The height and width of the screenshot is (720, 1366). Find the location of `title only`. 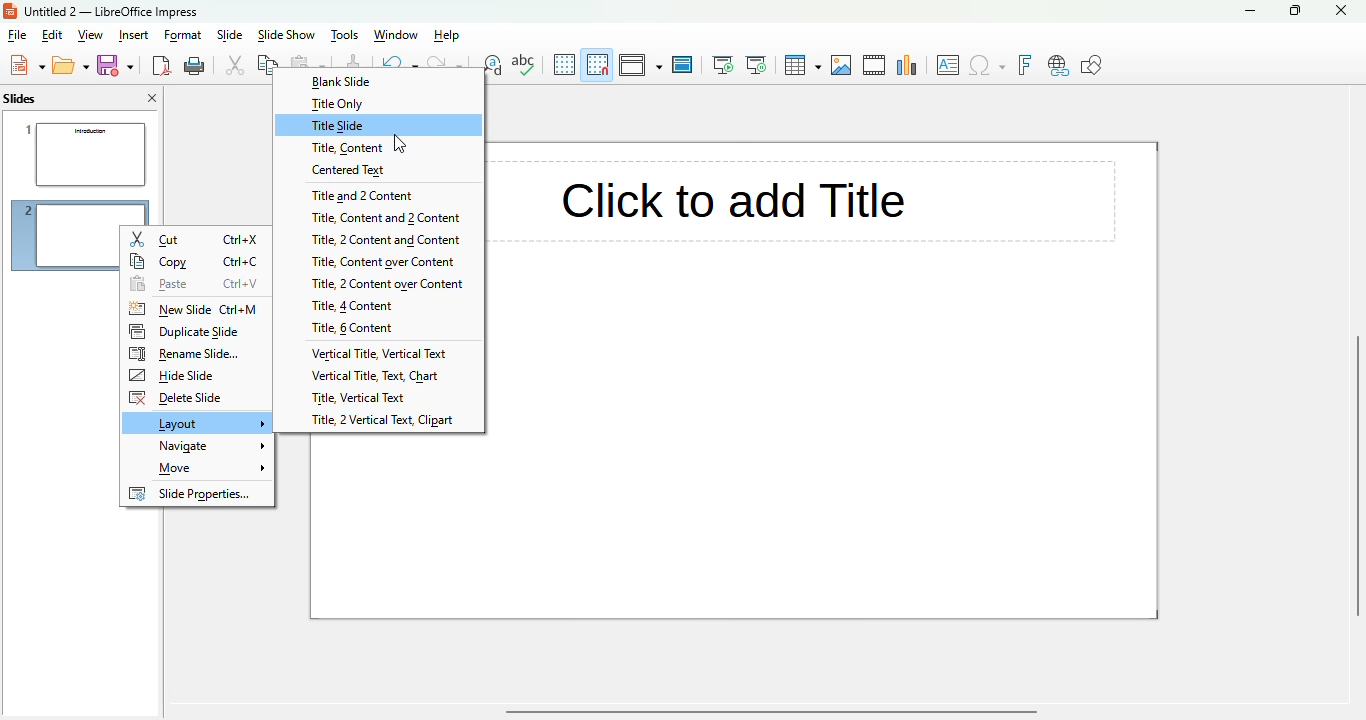

title only is located at coordinates (379, 103).